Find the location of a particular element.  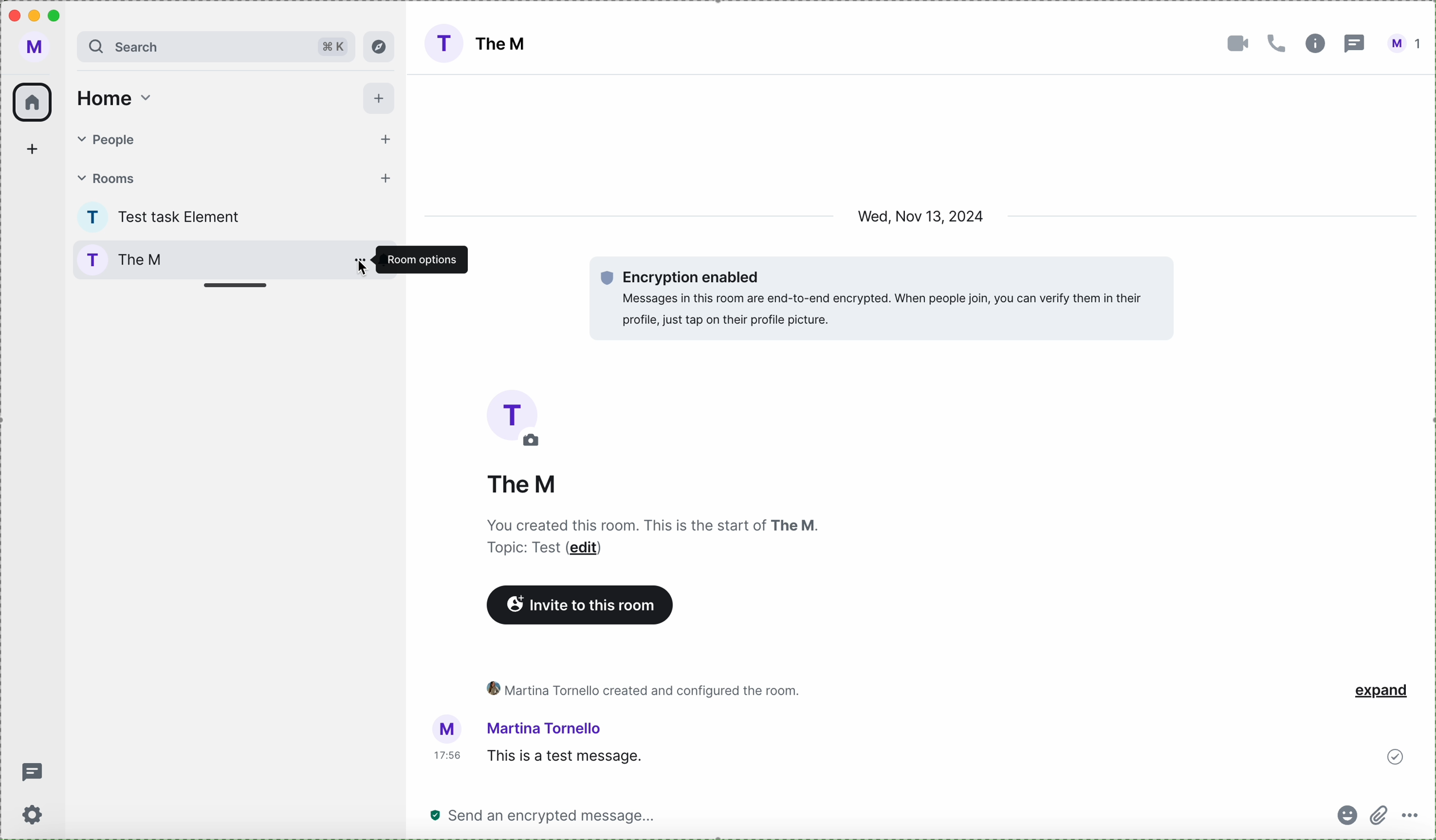

options is located at coordinates (362, 257).